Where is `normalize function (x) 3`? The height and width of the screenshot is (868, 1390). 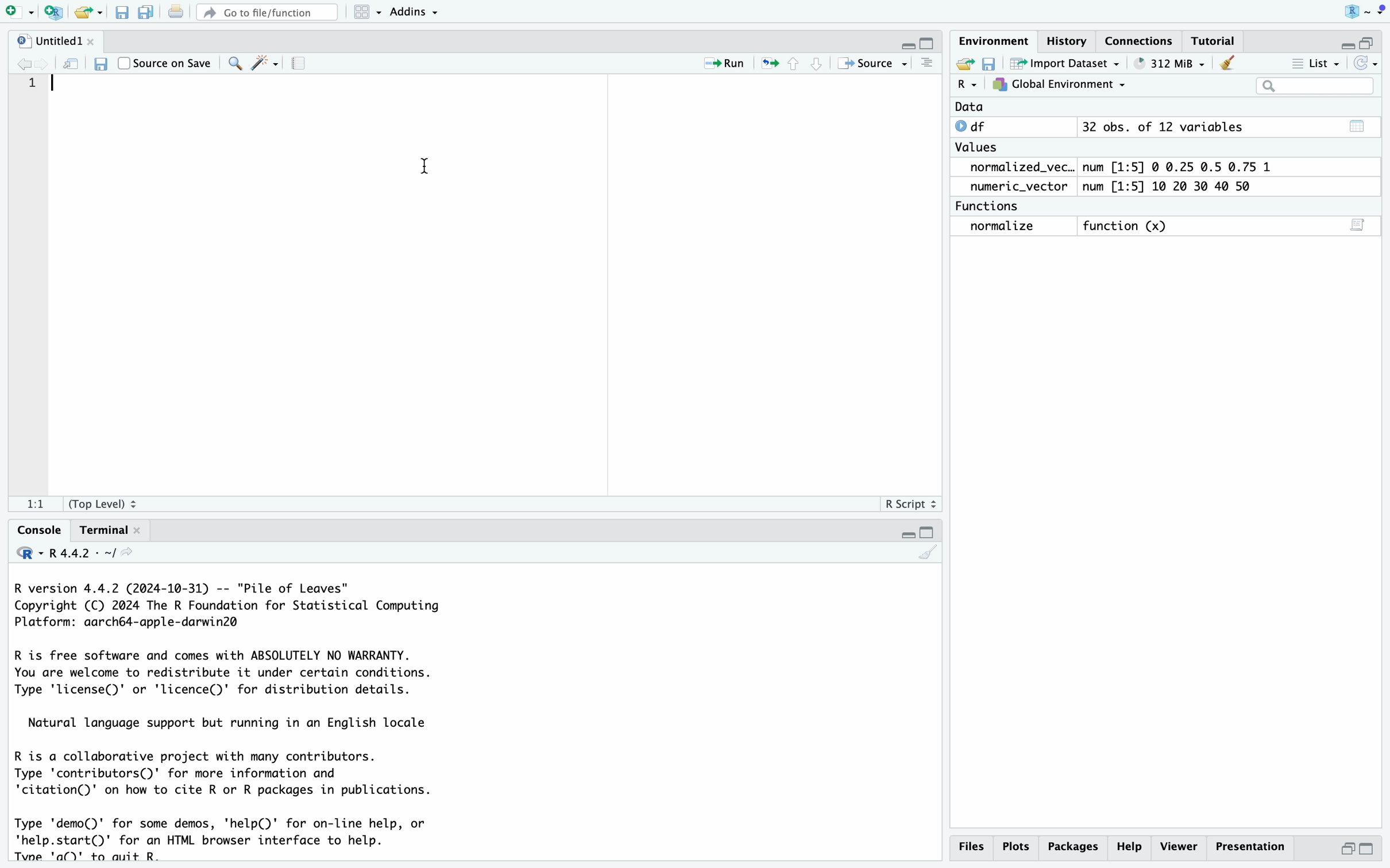 normalize function (x) 3 is located at coordinates (1167, 228).